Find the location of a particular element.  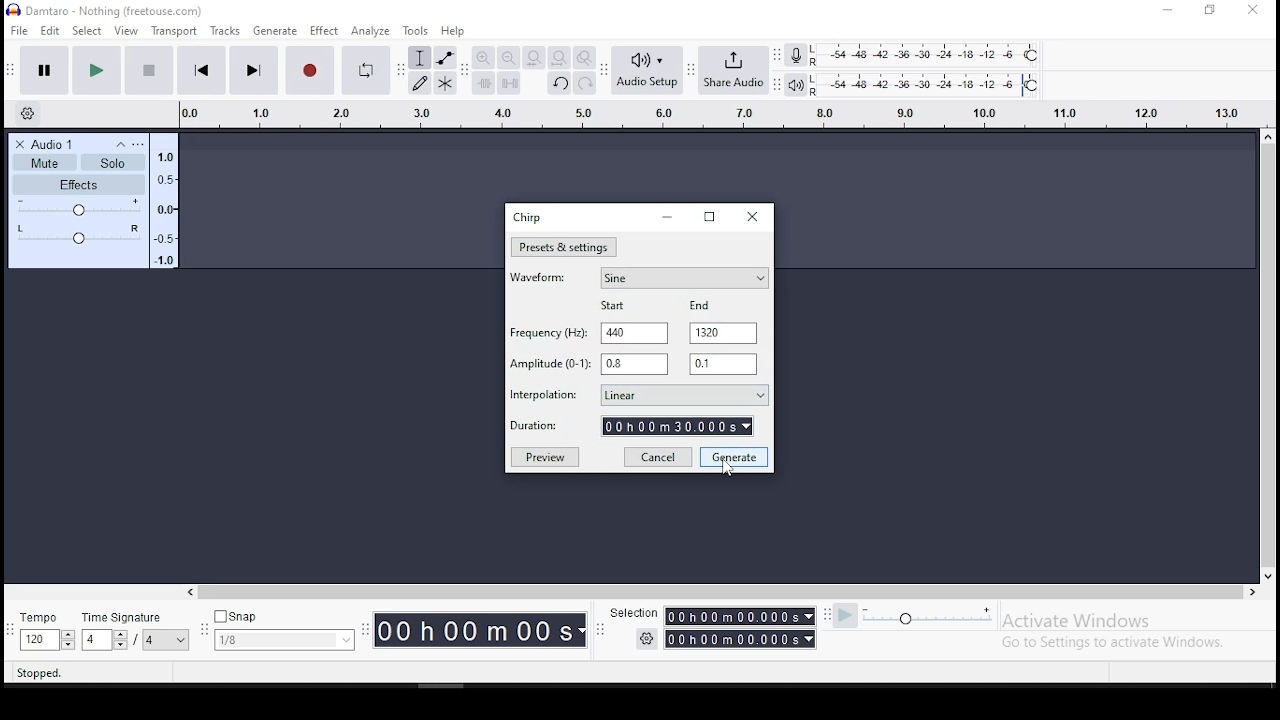

generate is located at coordinates (273, 31).